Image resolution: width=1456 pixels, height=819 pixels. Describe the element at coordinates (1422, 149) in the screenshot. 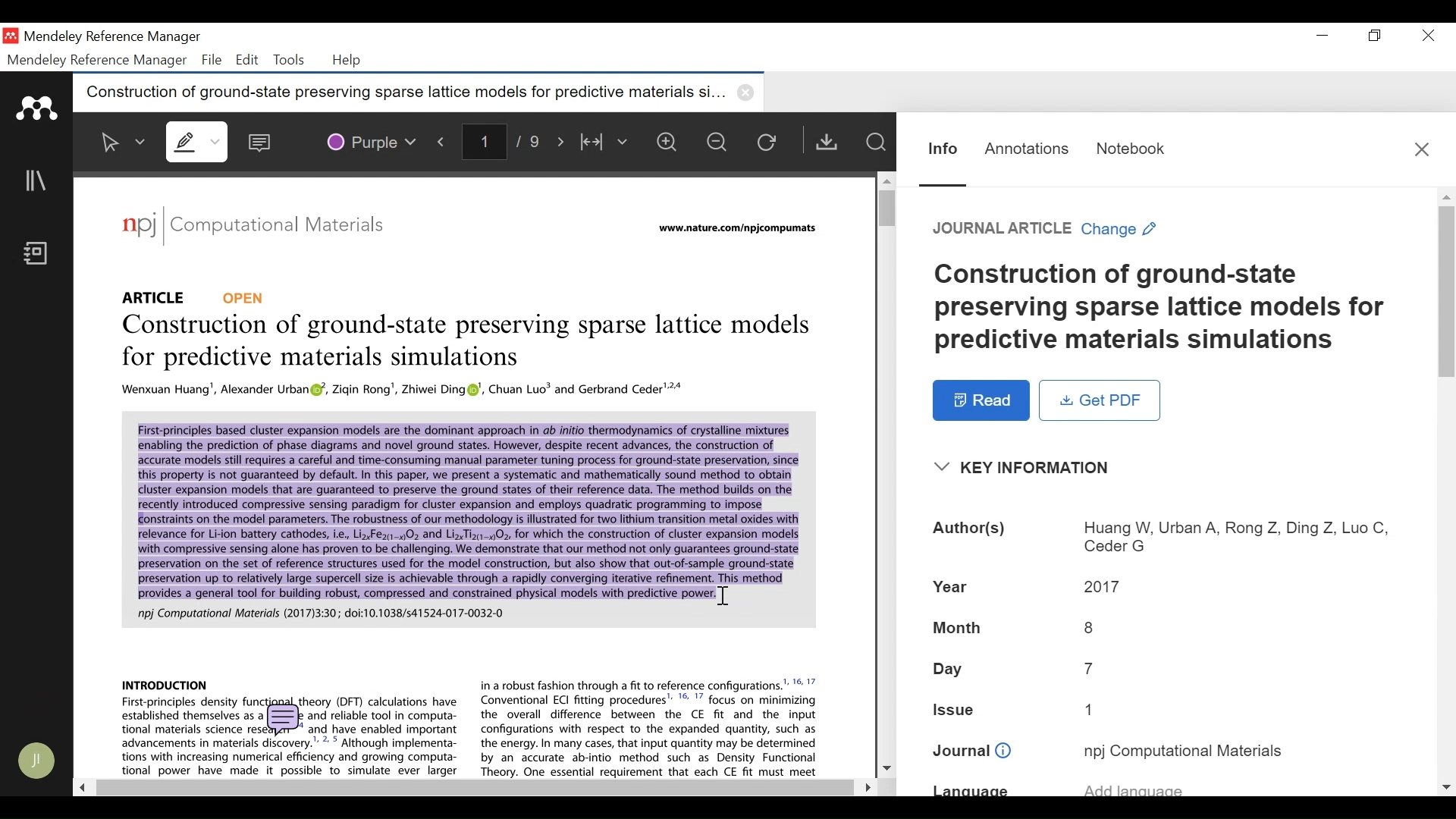

I see `Close` at that location.